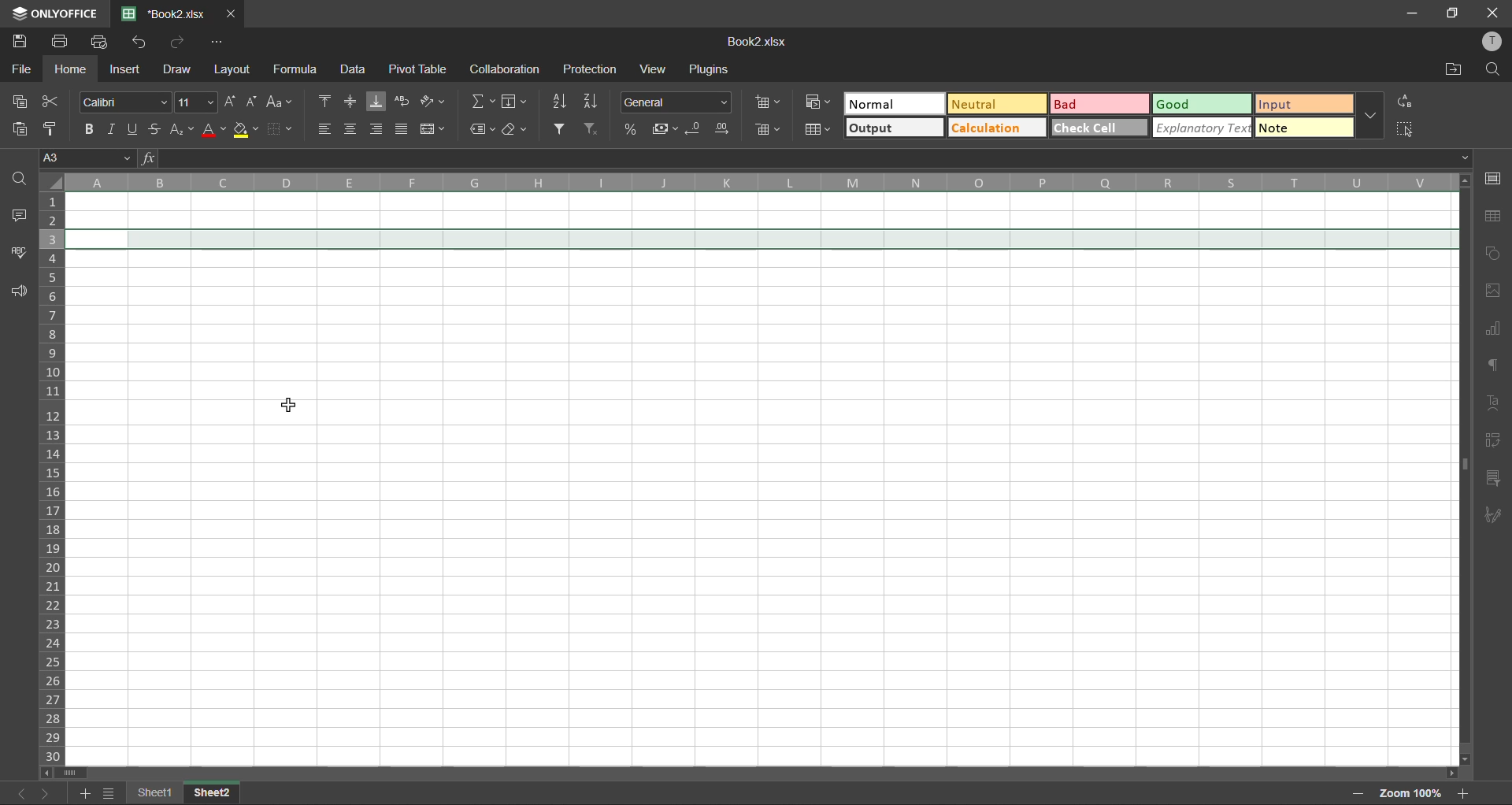 The width and height of the screenshot is (1512, 805). What do you see at coordinates (1100, 106) in the screenshot?
I see `bad` at bounding box center [1100, 106].